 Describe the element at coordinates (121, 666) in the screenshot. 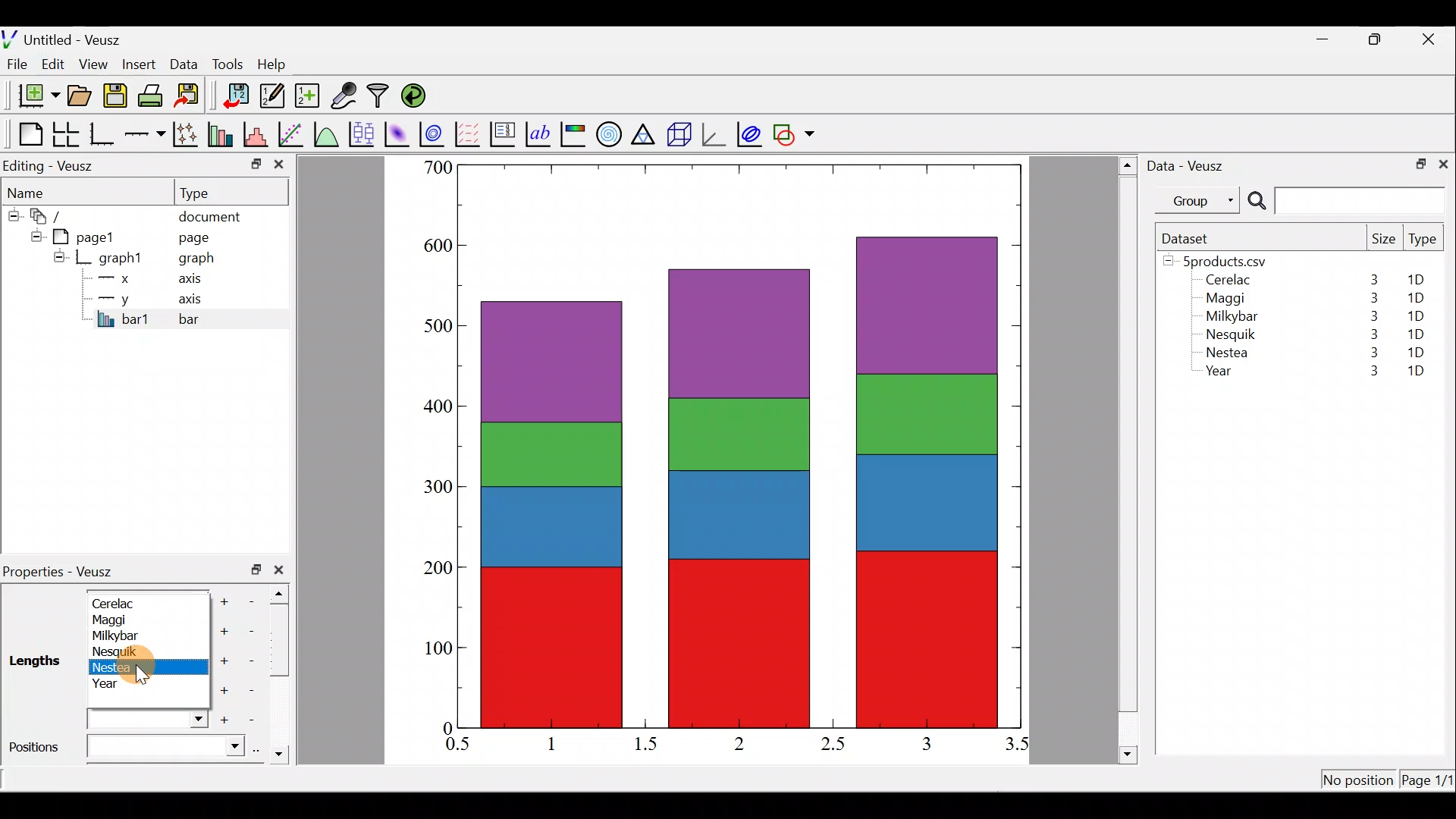

I see `Nestea` at that location.